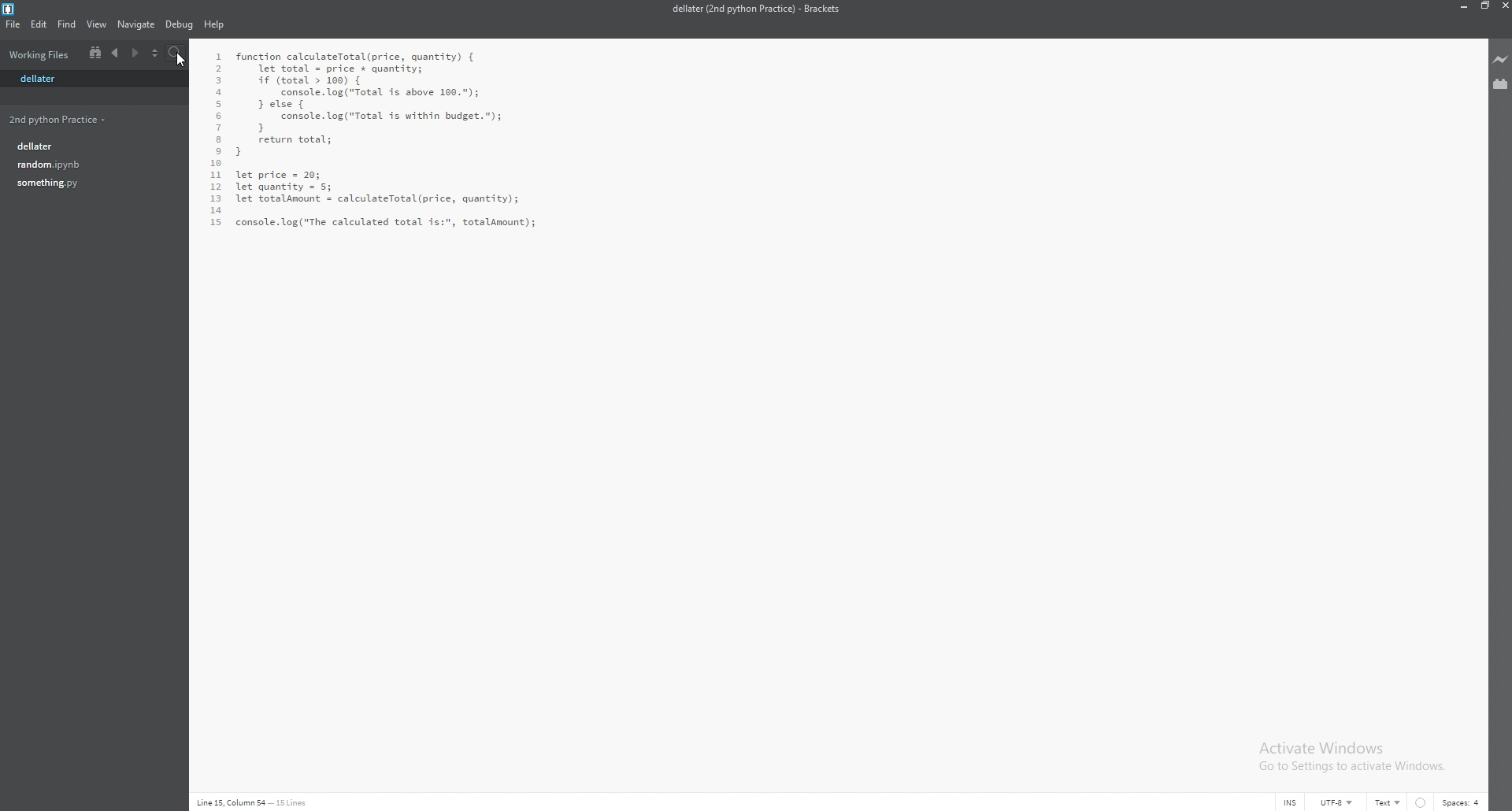 The image size is (1512, 811). I want to click on 14, so click(216, 209).